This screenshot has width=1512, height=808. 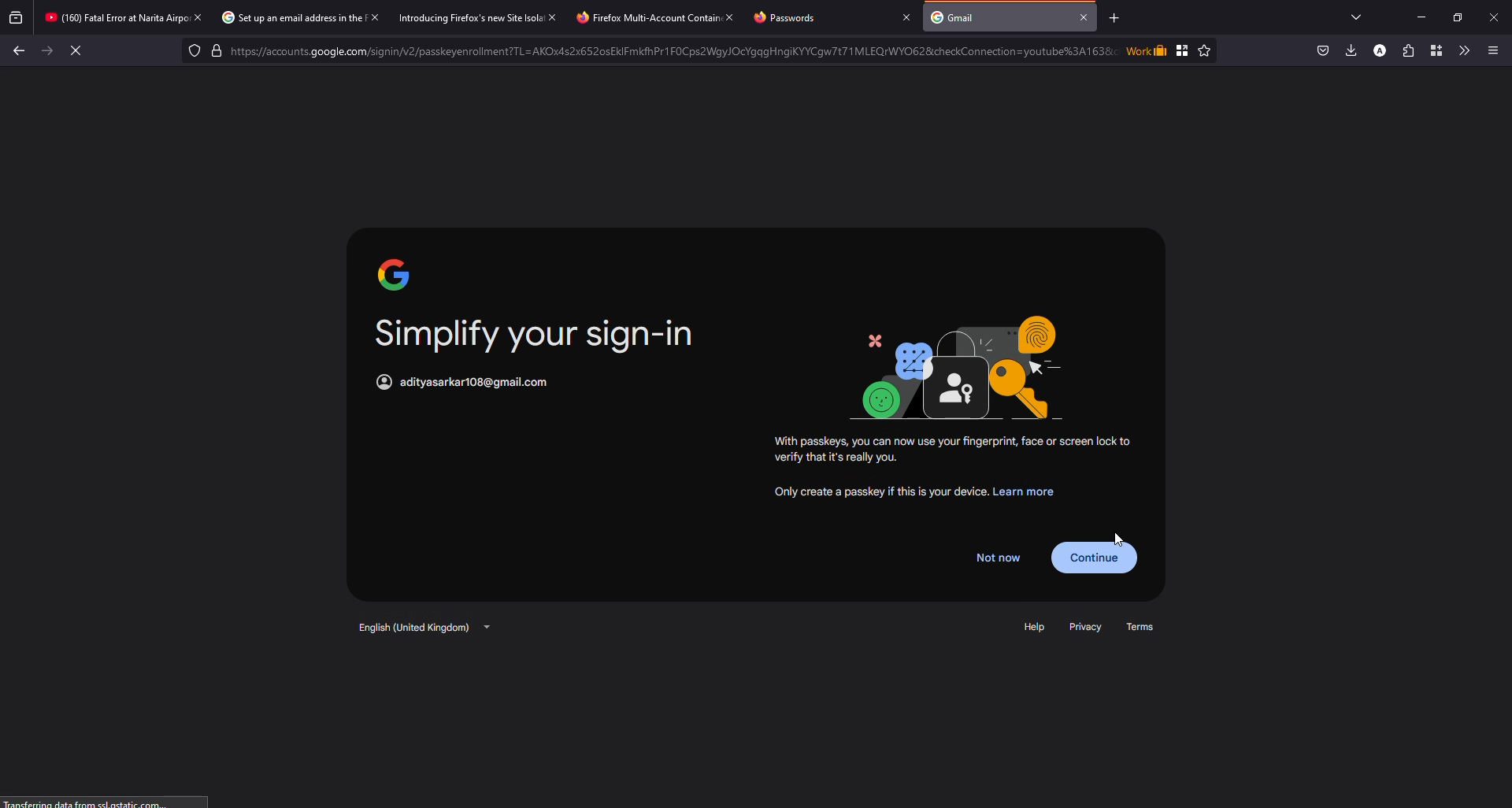 What do you see at coordinates (1321, 50) in the screenshot?
I see `save to pocket` at bounding box center [1321, 50].